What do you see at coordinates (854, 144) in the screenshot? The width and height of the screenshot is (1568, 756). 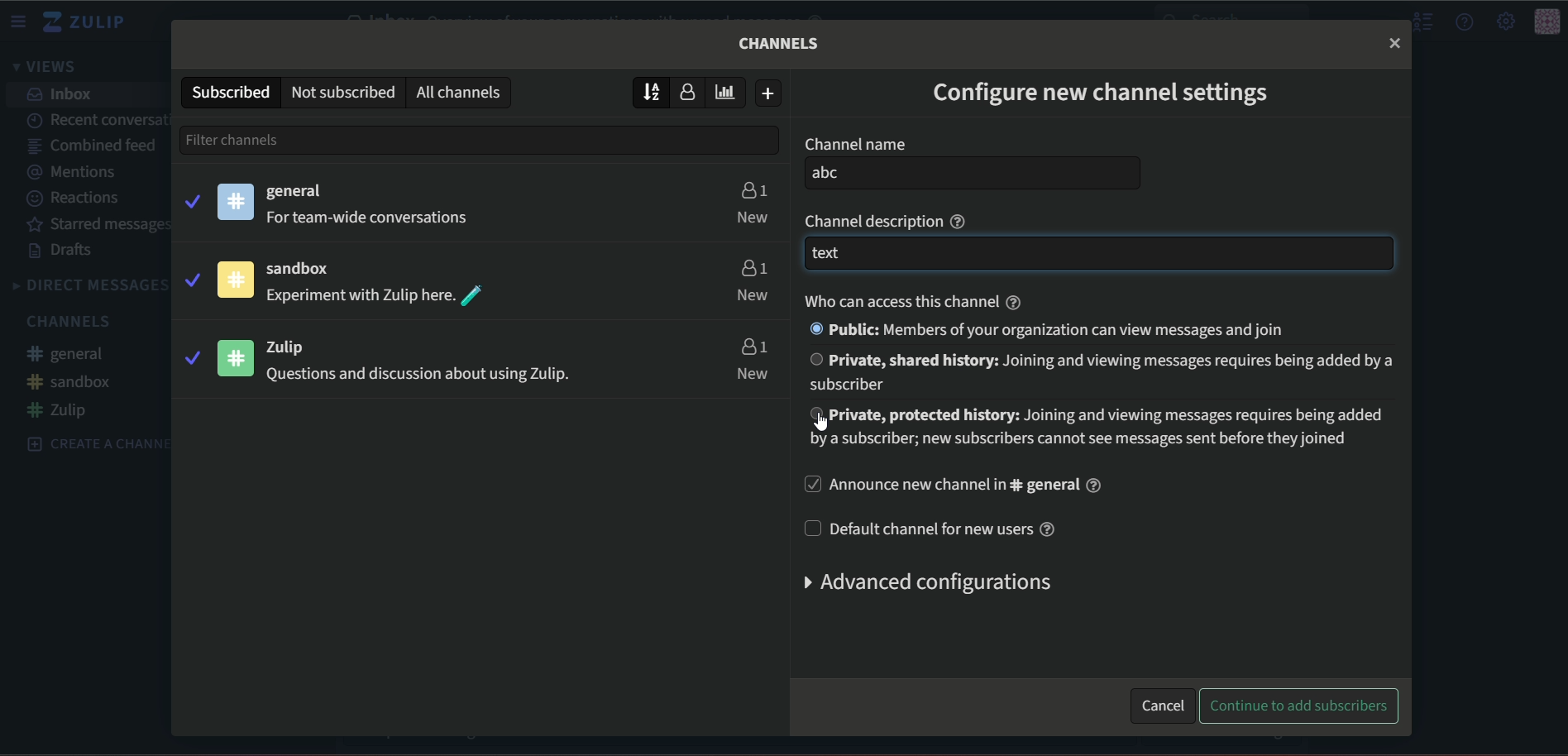 I see `channel name` at bounding box center [854, 144].